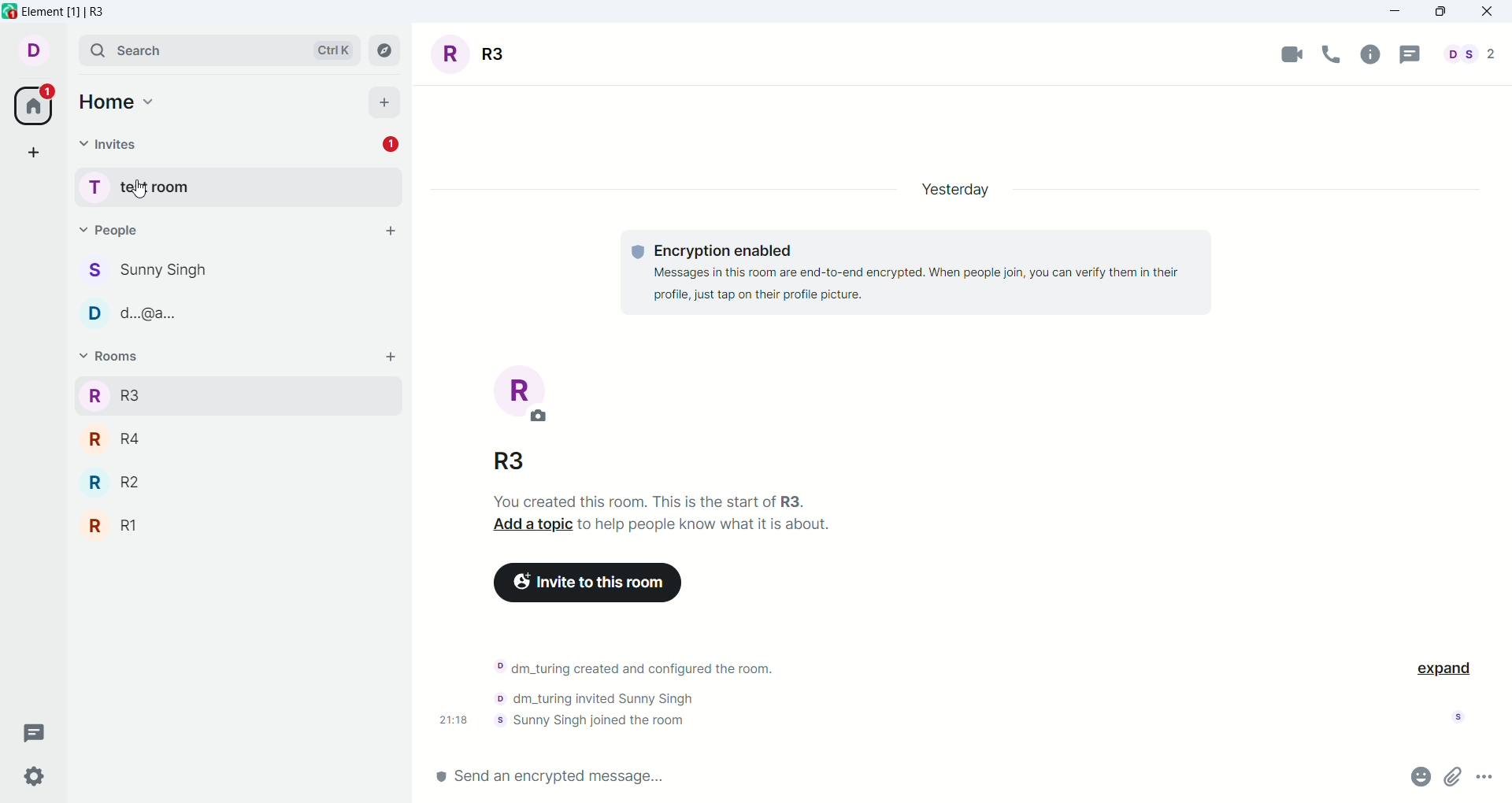 This screenshot has height=803, width=1512. Describe the element at coordinates (915, 272) in the screenshot. I see `text` at that location.